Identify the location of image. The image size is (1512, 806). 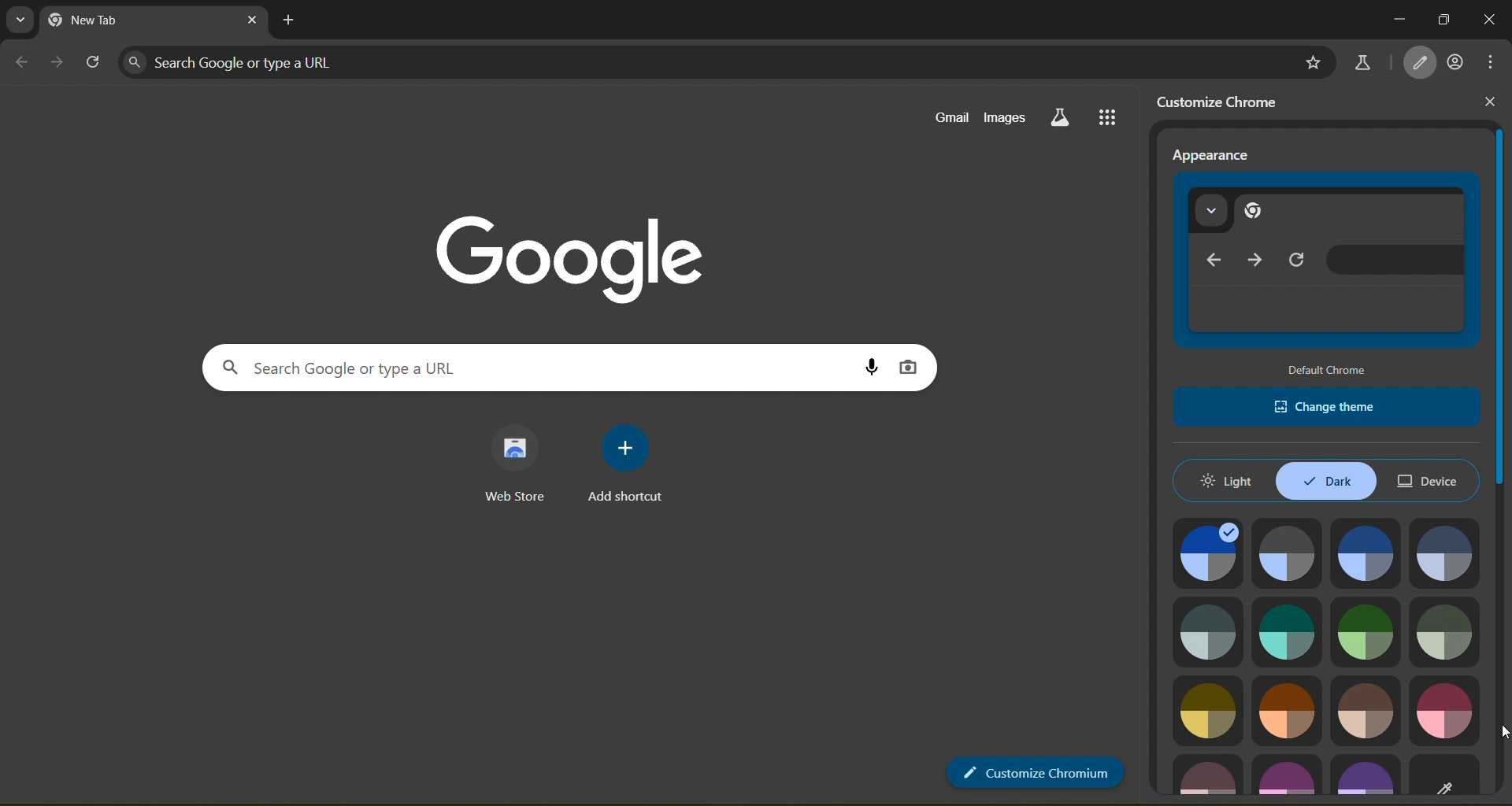
(1208, 632).